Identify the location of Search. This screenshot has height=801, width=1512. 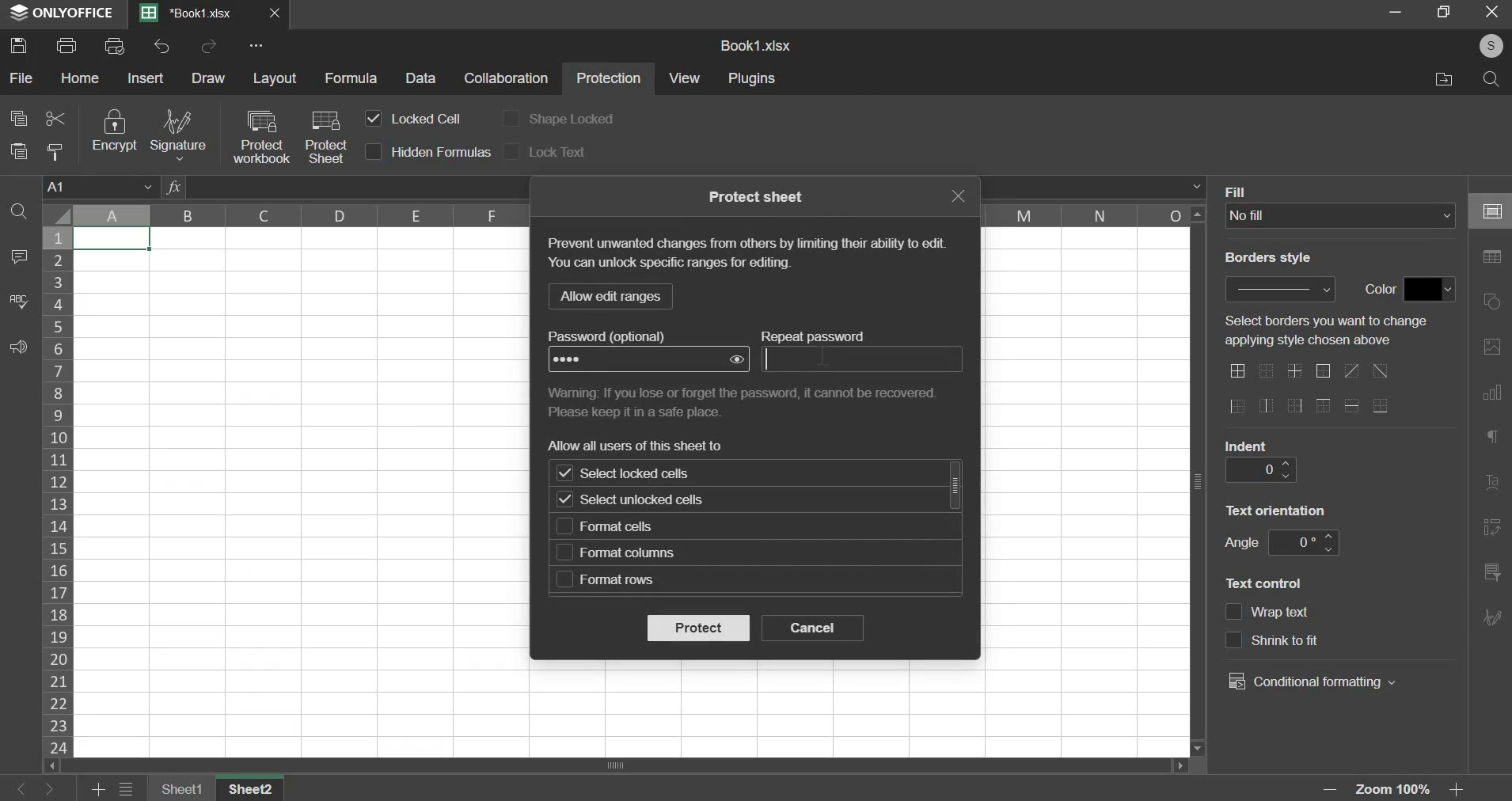
(1492, 80).